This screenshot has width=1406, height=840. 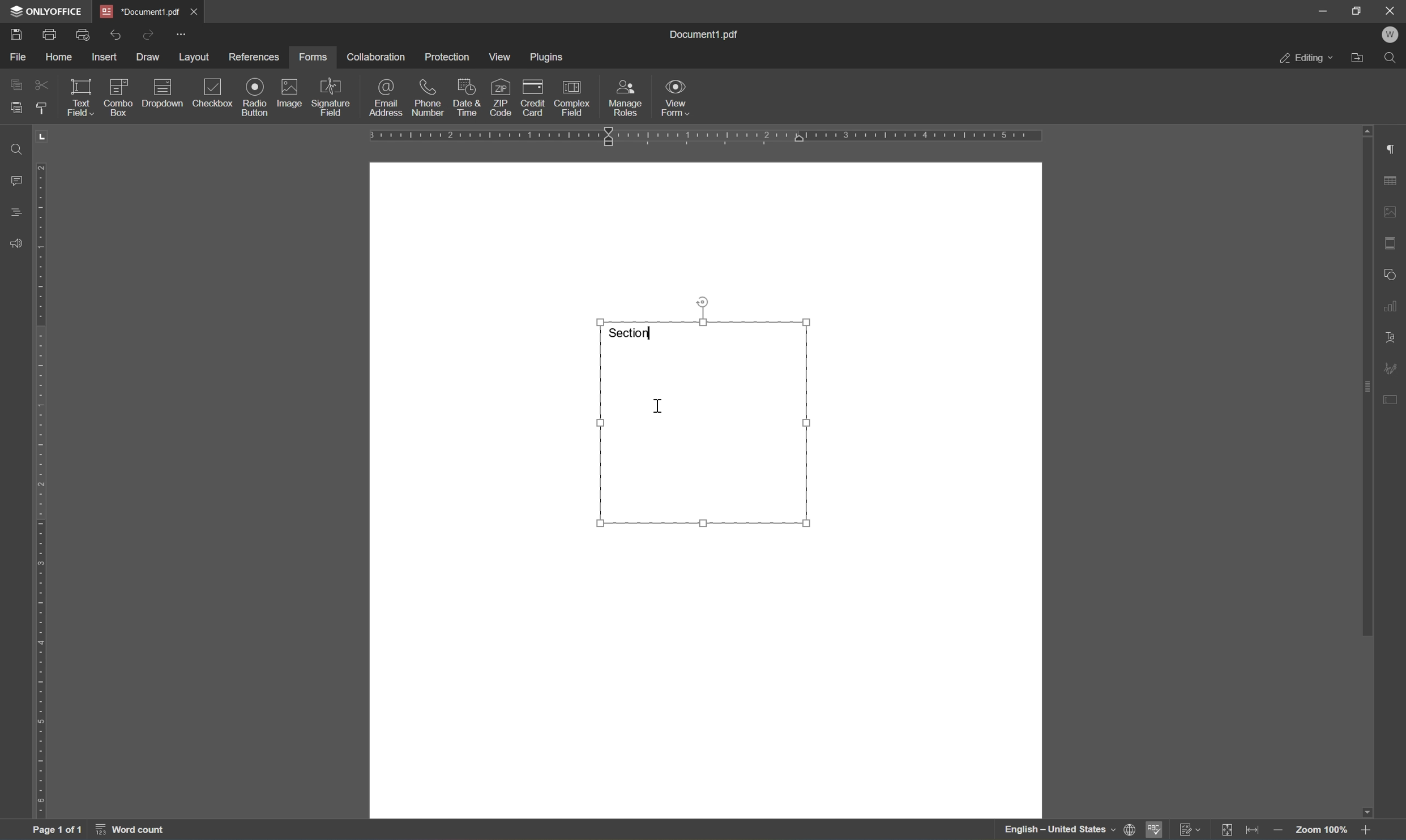 What do you see at coordinates (78, 96) in the screenshot?
I see `text field` at bounding box center [78, 96].